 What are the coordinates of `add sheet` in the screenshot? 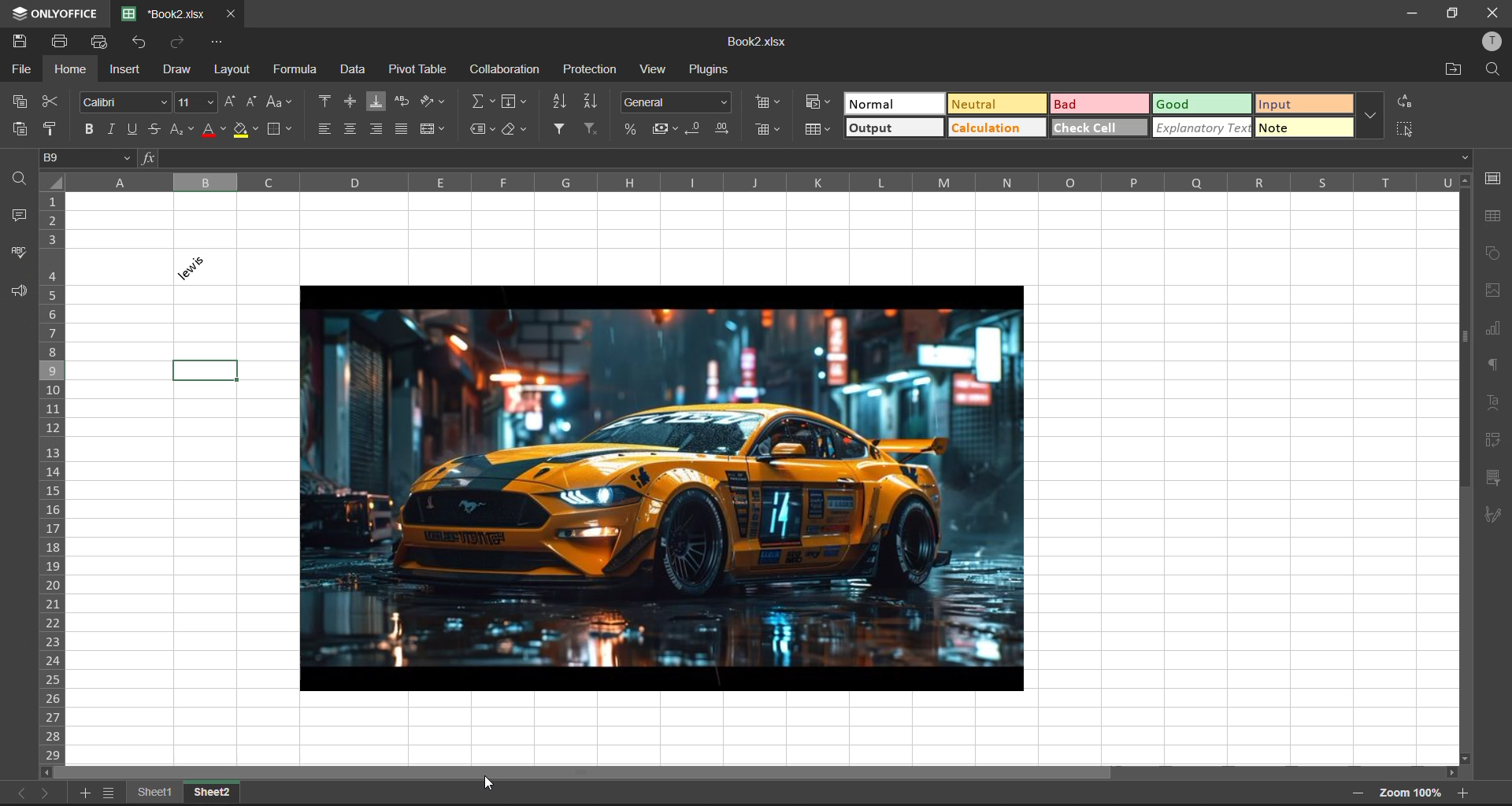 It's located at (107, 796).